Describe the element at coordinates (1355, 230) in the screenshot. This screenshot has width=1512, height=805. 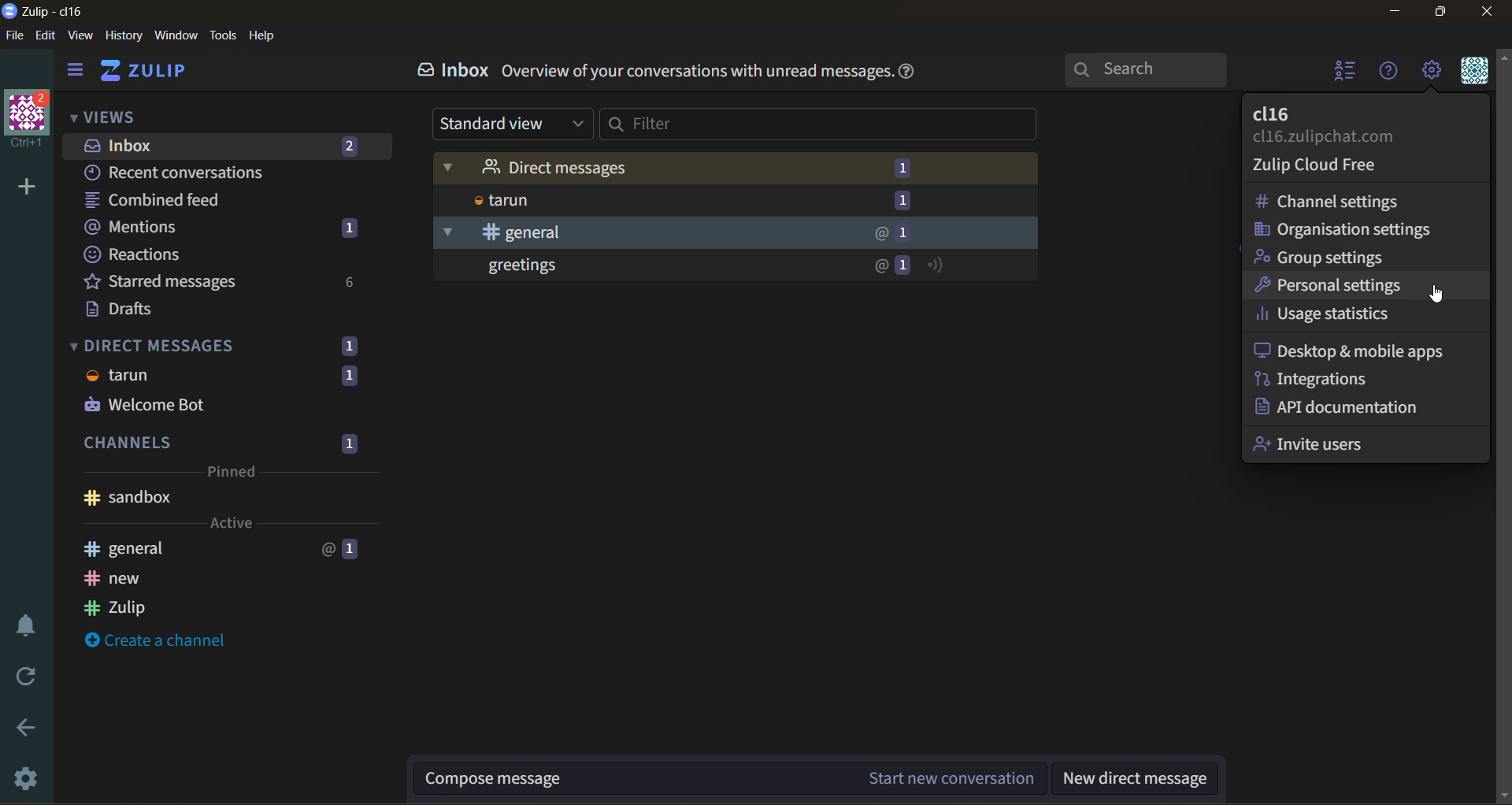
I see `organisation settings` at that location.